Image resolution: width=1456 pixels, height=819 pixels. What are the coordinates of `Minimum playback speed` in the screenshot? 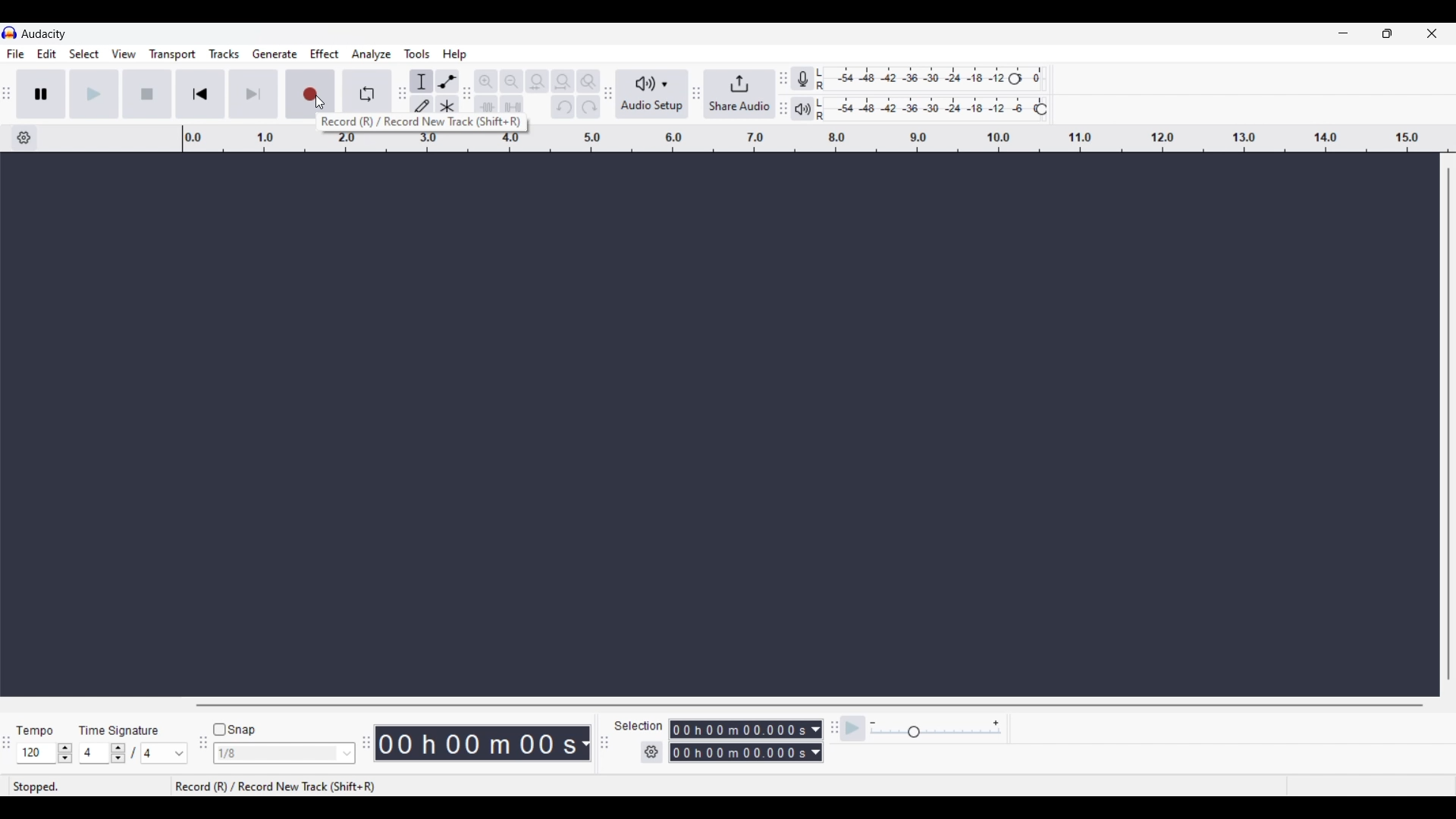 It's located at (873, 723).